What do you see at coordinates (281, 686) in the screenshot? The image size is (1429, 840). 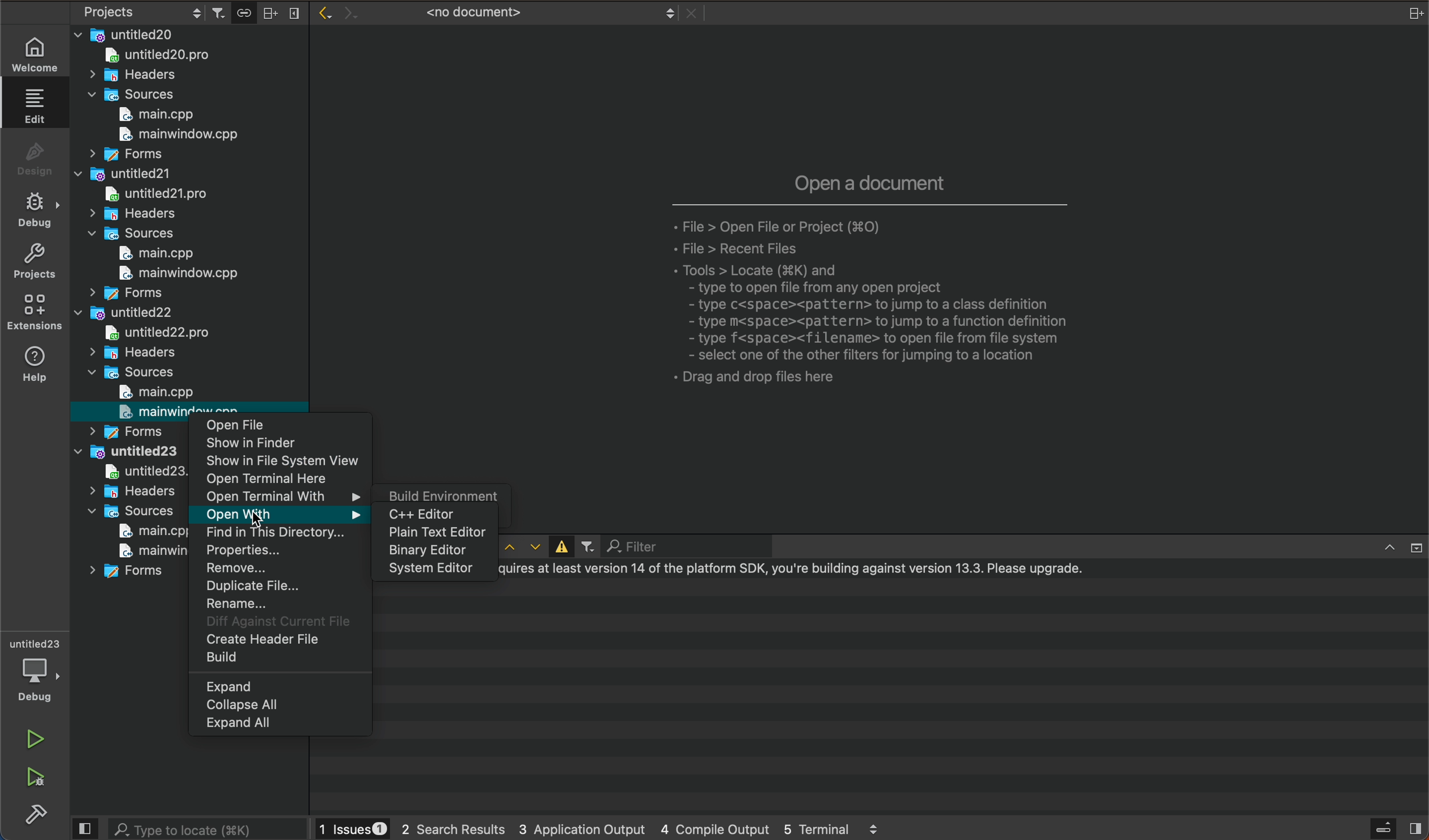 I see `expand` at bounding box center [281, 686].